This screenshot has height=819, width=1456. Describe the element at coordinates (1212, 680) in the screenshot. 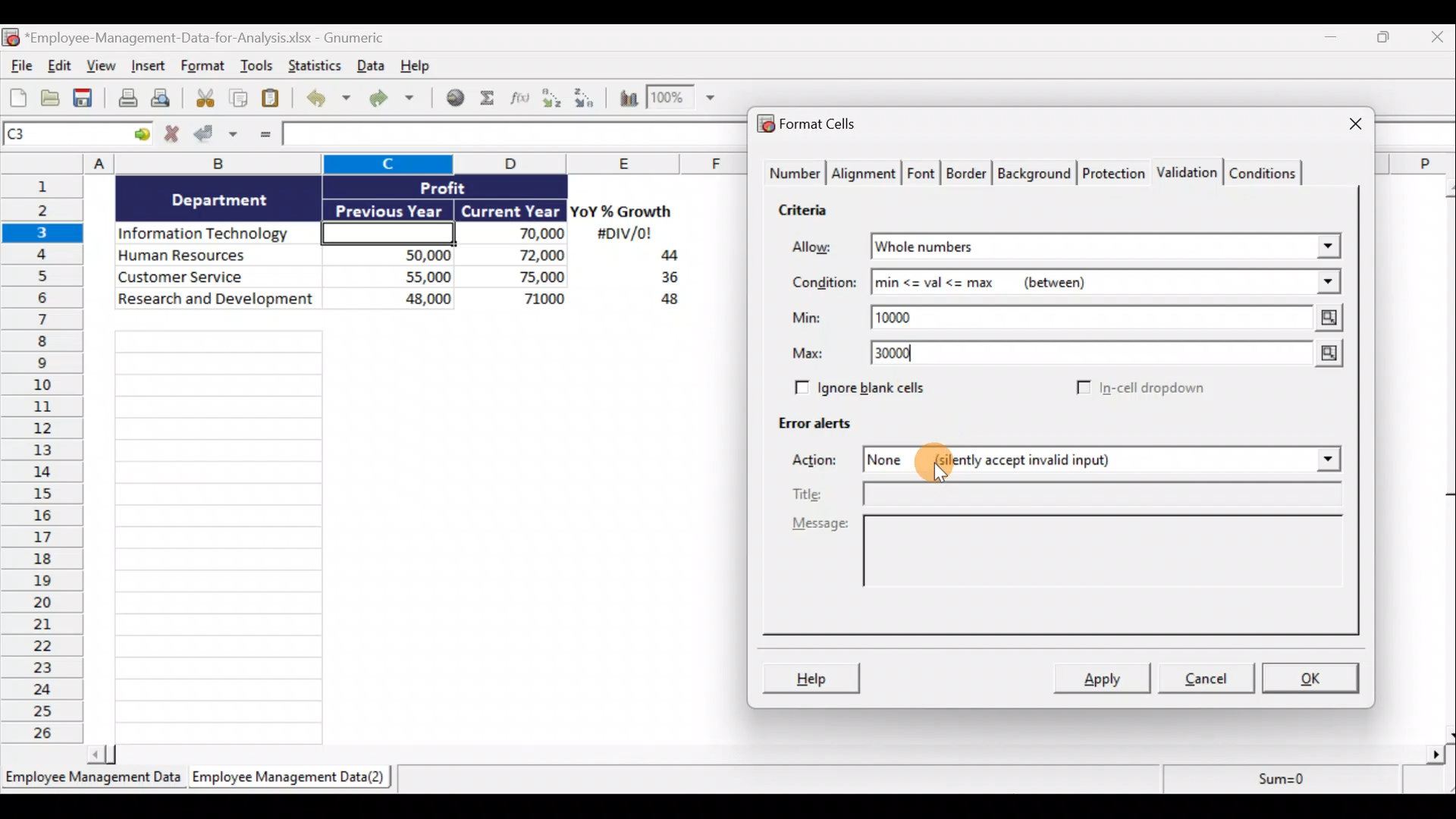

I see `Cancel` at that location.